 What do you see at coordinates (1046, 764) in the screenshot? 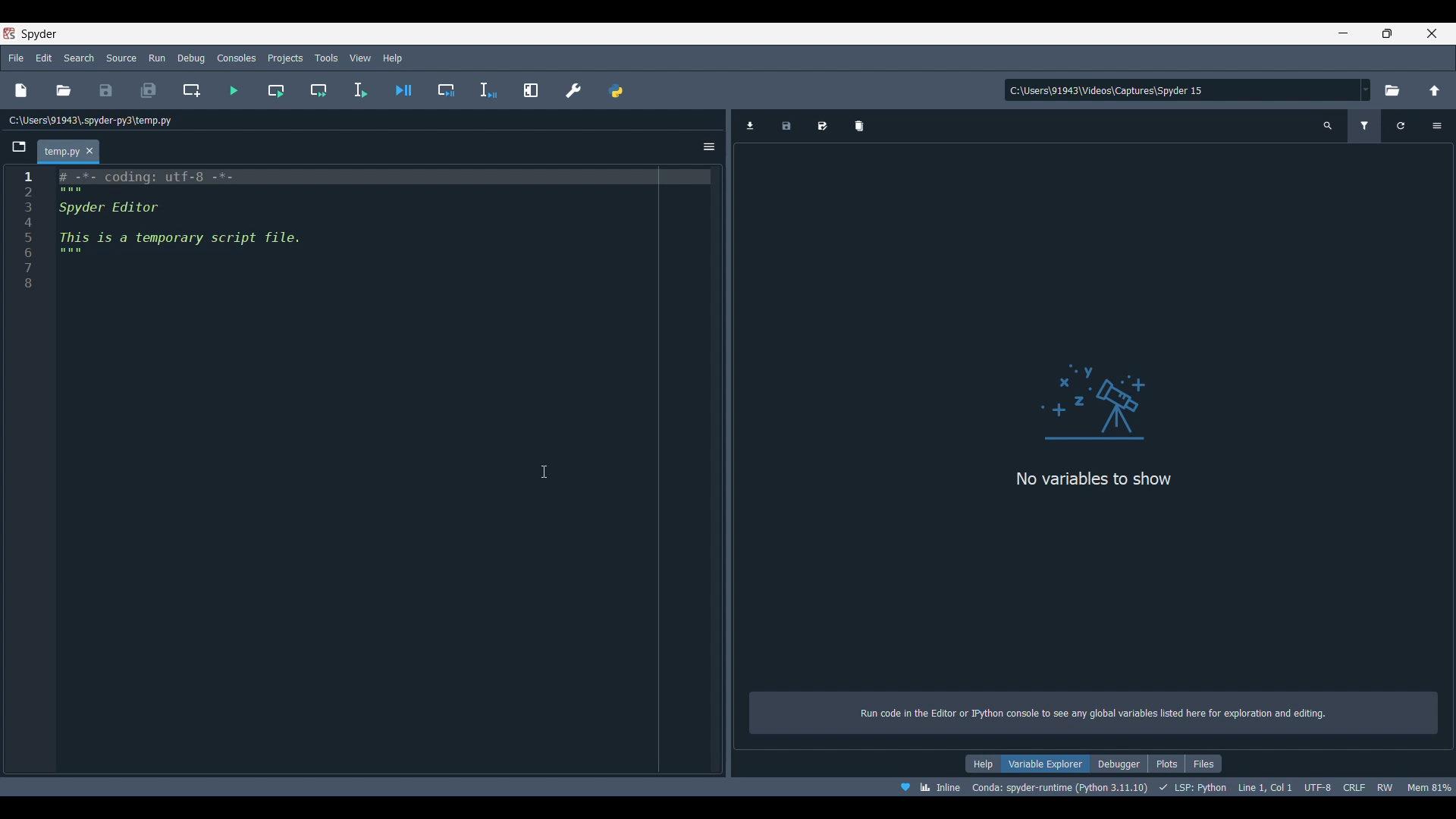
I see `Variable explorer` at bounding box center [1046, 764].